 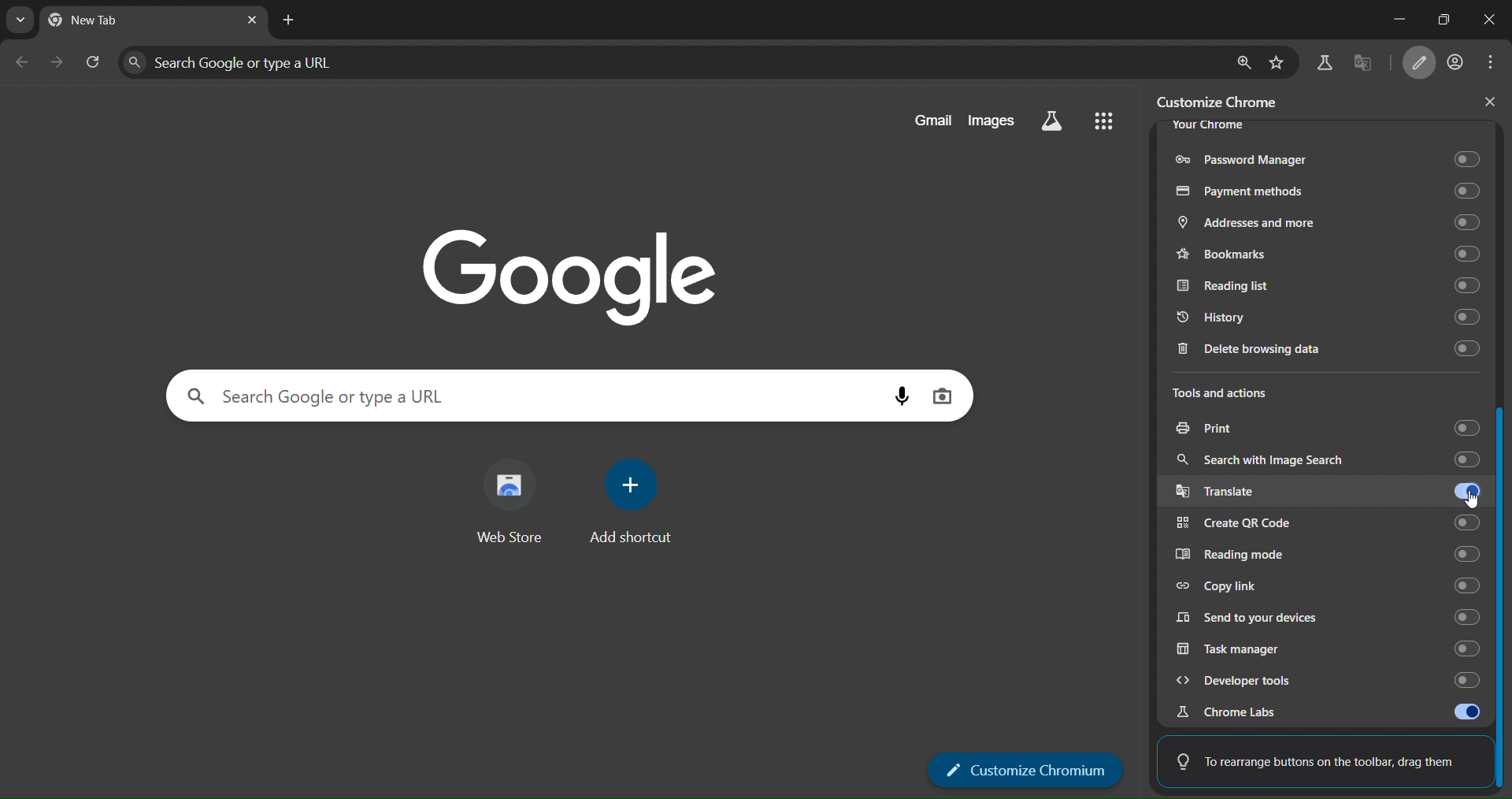 What do you see at coordinates (567, 277) in the screenshot?
I see `Google logo` at bounding box center [567, 277].